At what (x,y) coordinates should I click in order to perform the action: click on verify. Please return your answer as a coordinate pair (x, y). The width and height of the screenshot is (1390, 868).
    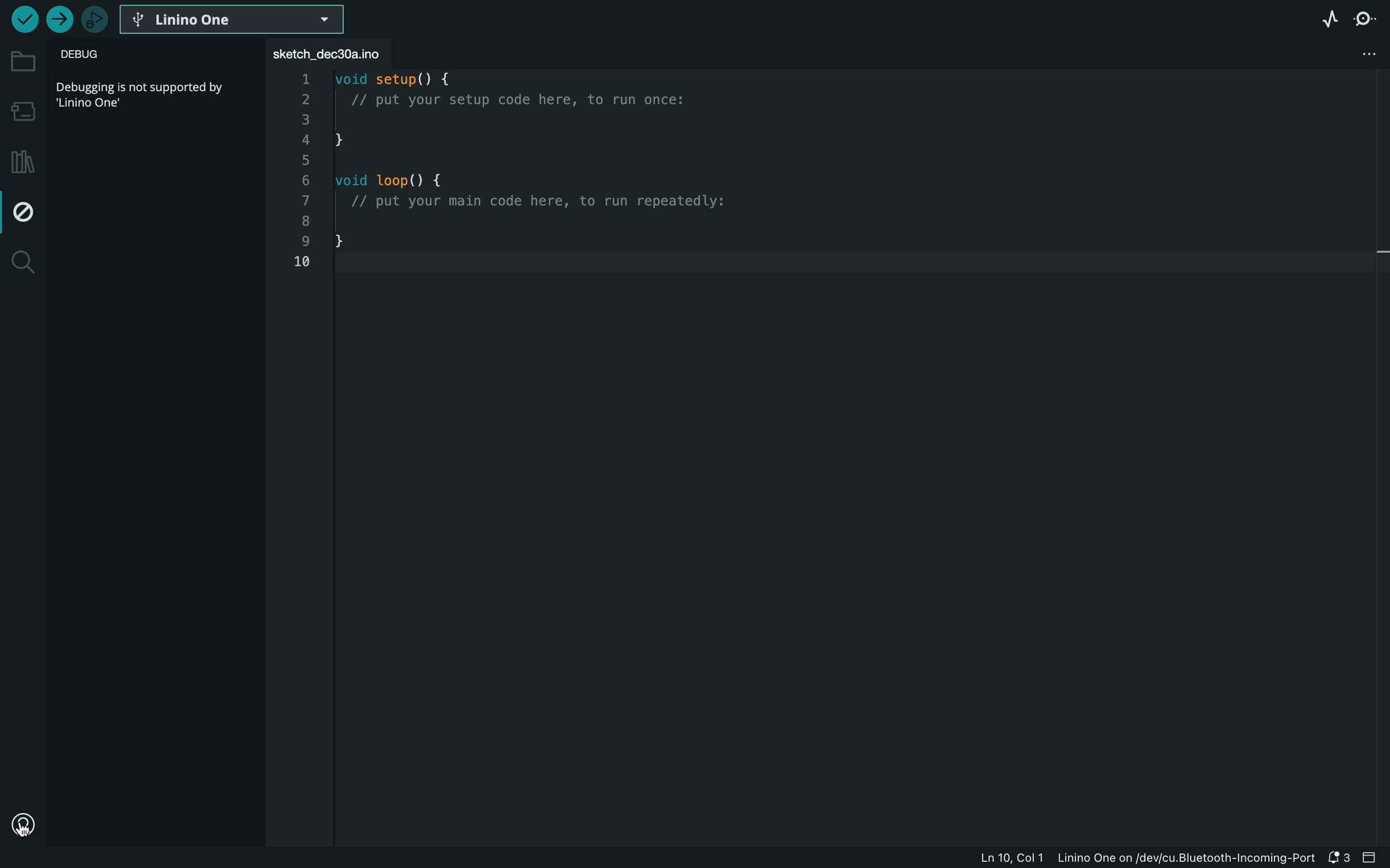
    Looking at the image, I should click on (21, 19).